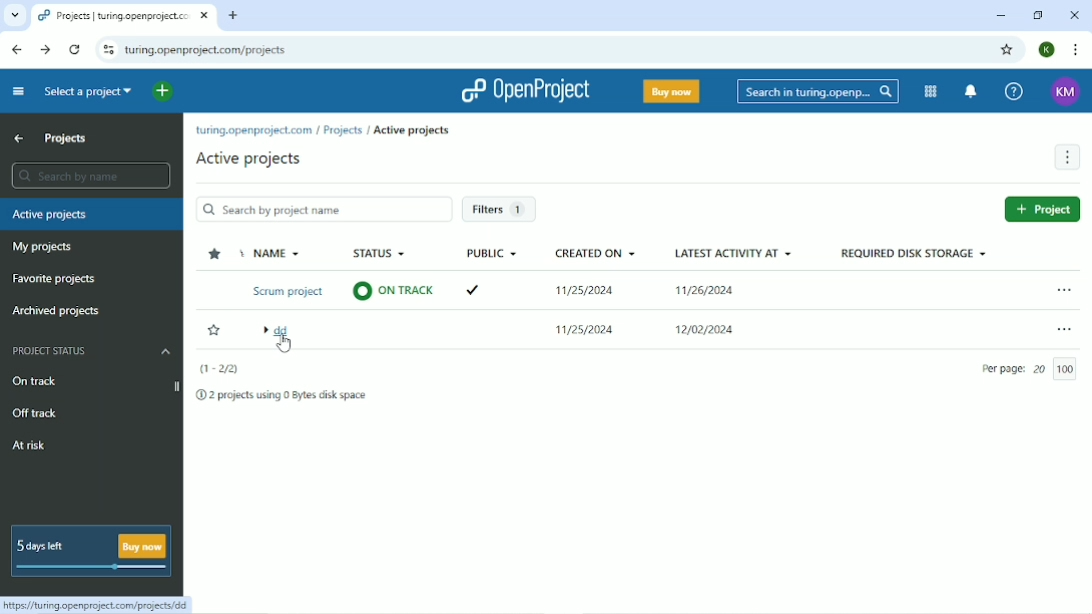  I want to click on At risk, so click(31, 447).